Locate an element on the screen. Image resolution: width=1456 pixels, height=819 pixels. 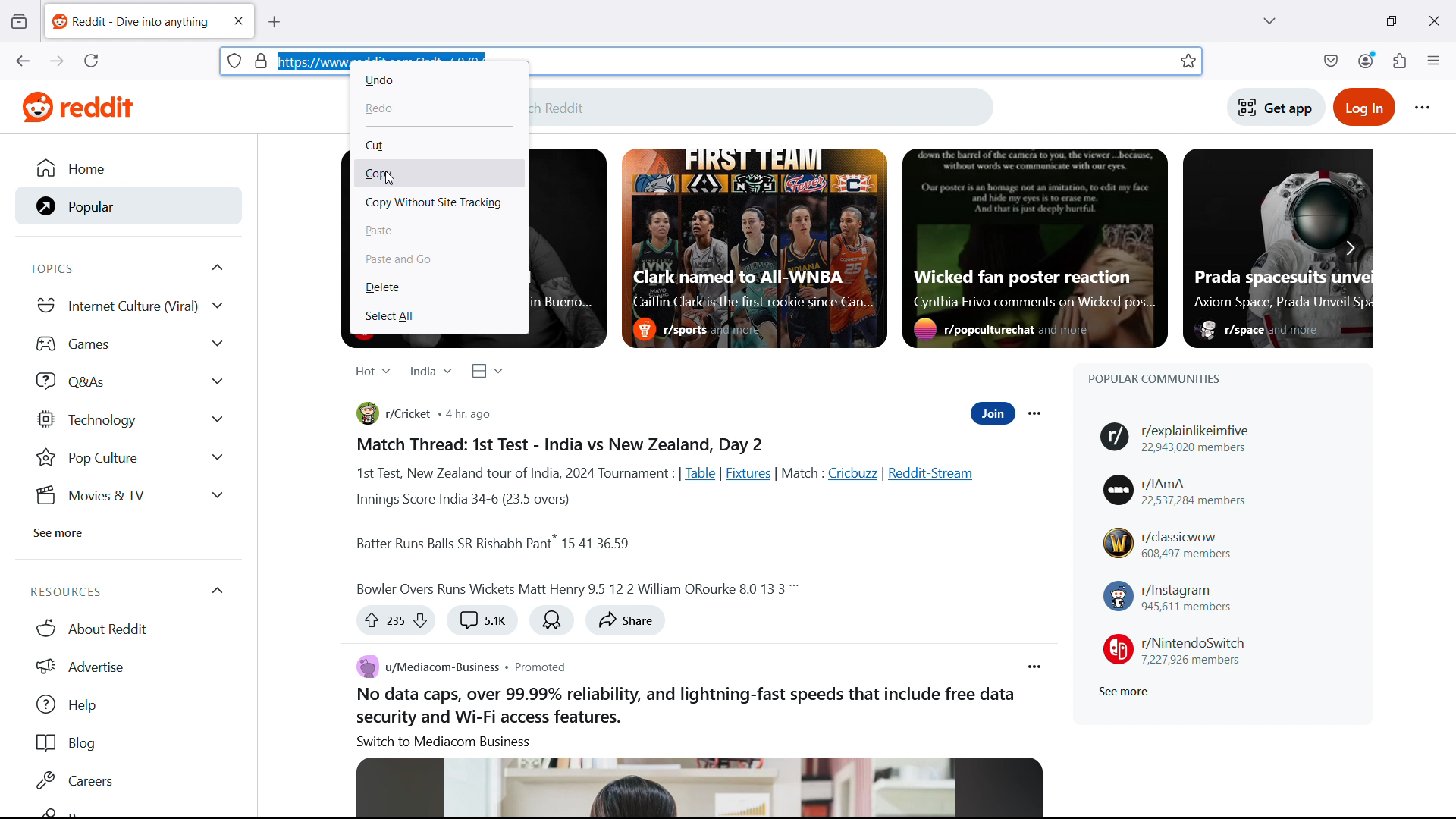
select all is located at coordinates (438, 314).